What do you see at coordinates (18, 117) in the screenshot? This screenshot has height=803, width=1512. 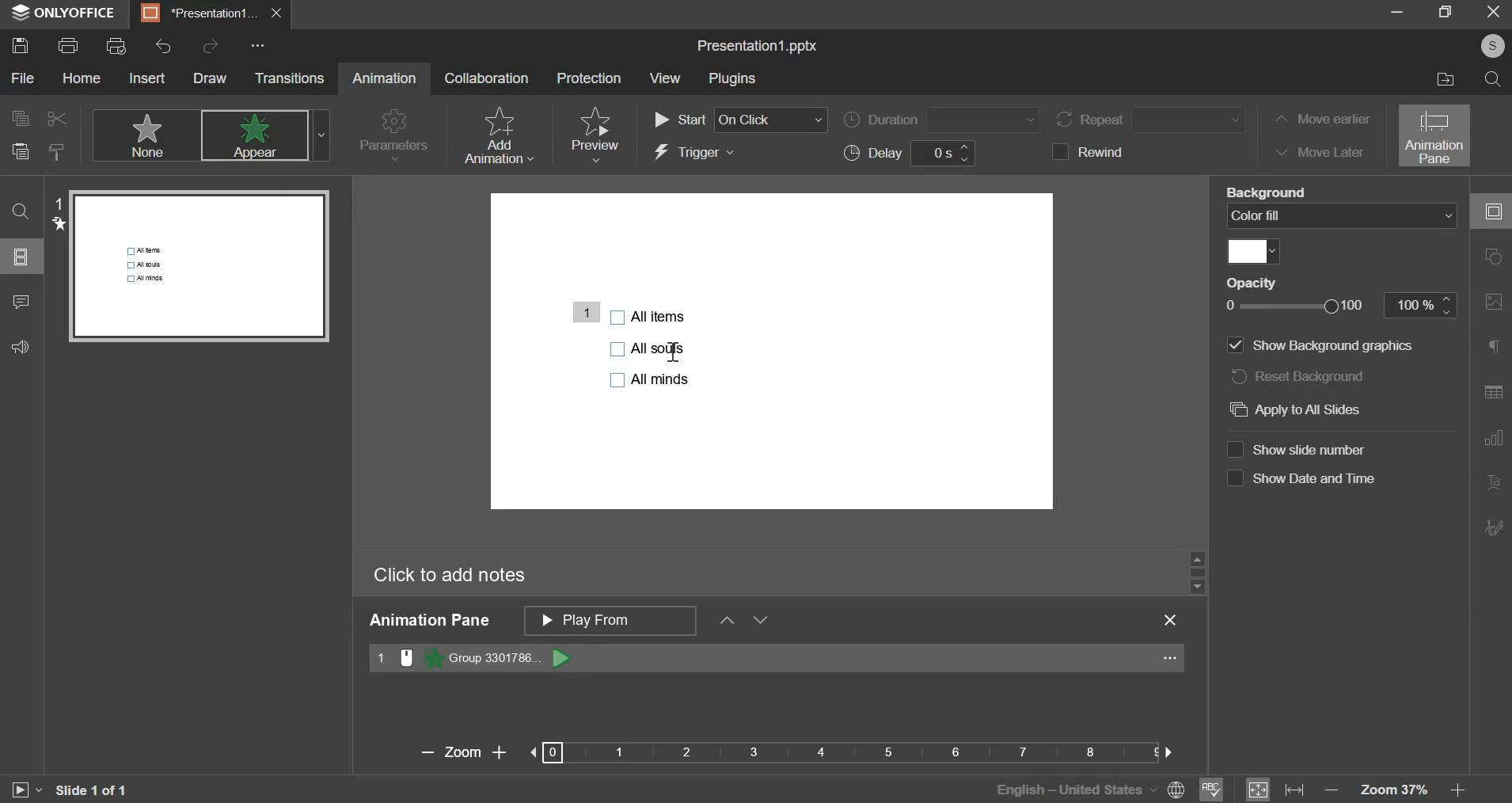 I see `copy` at bounding box center [18, 117].